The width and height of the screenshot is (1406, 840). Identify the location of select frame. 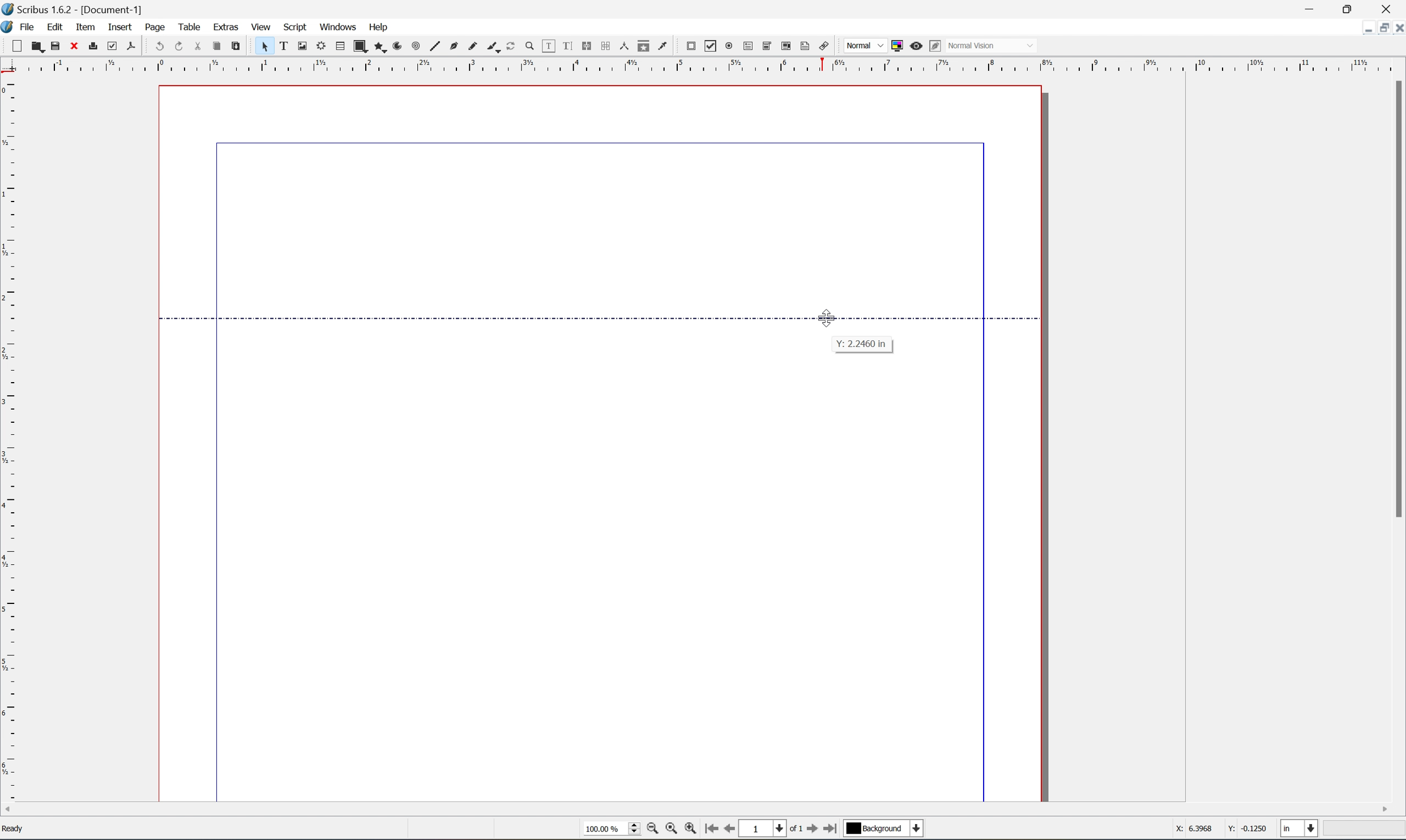
(266, 48).